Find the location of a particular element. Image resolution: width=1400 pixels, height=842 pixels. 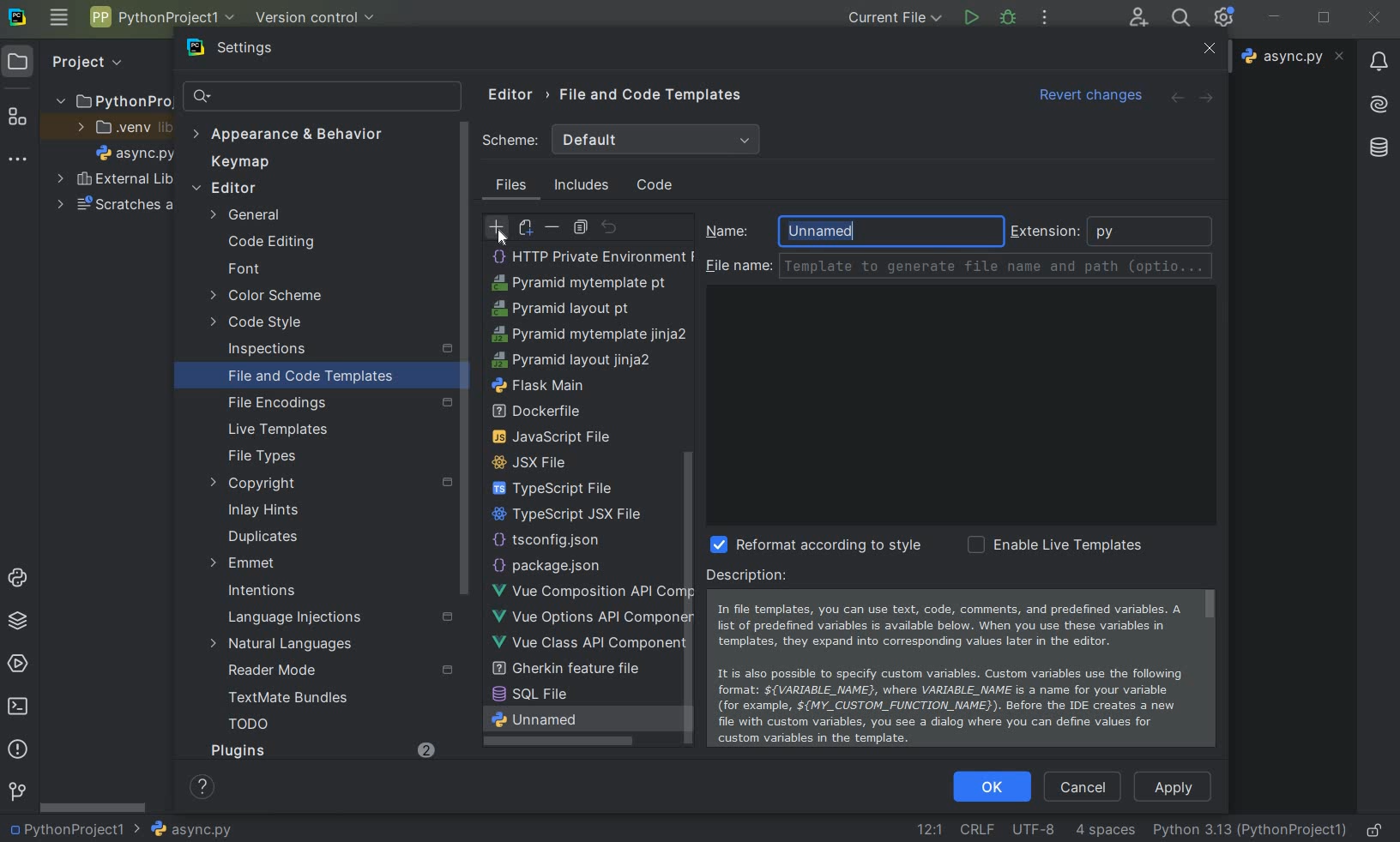

terminal is located at coordinates (19, 705).